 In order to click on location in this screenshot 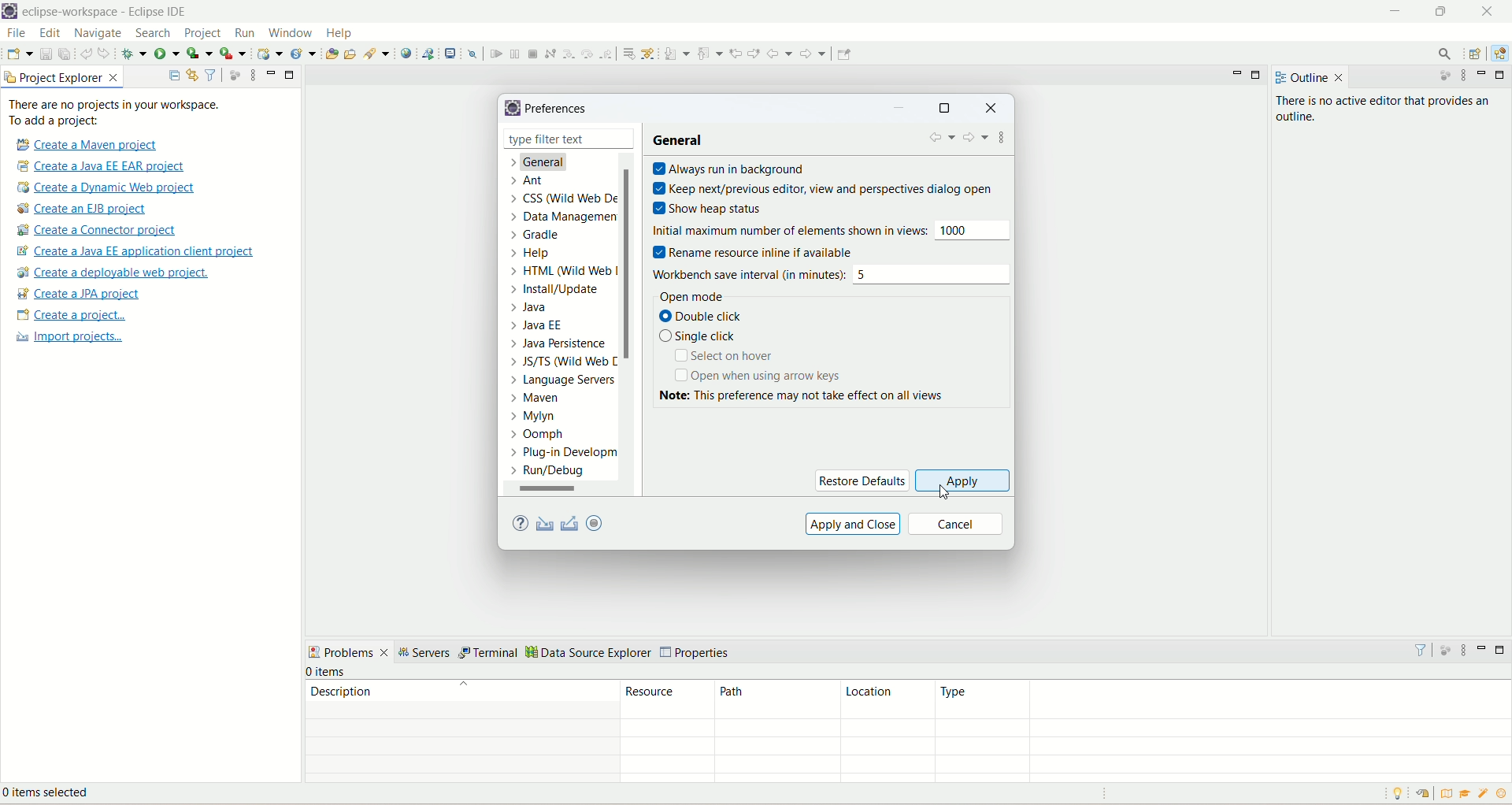, I will do `click(885, 700)`.